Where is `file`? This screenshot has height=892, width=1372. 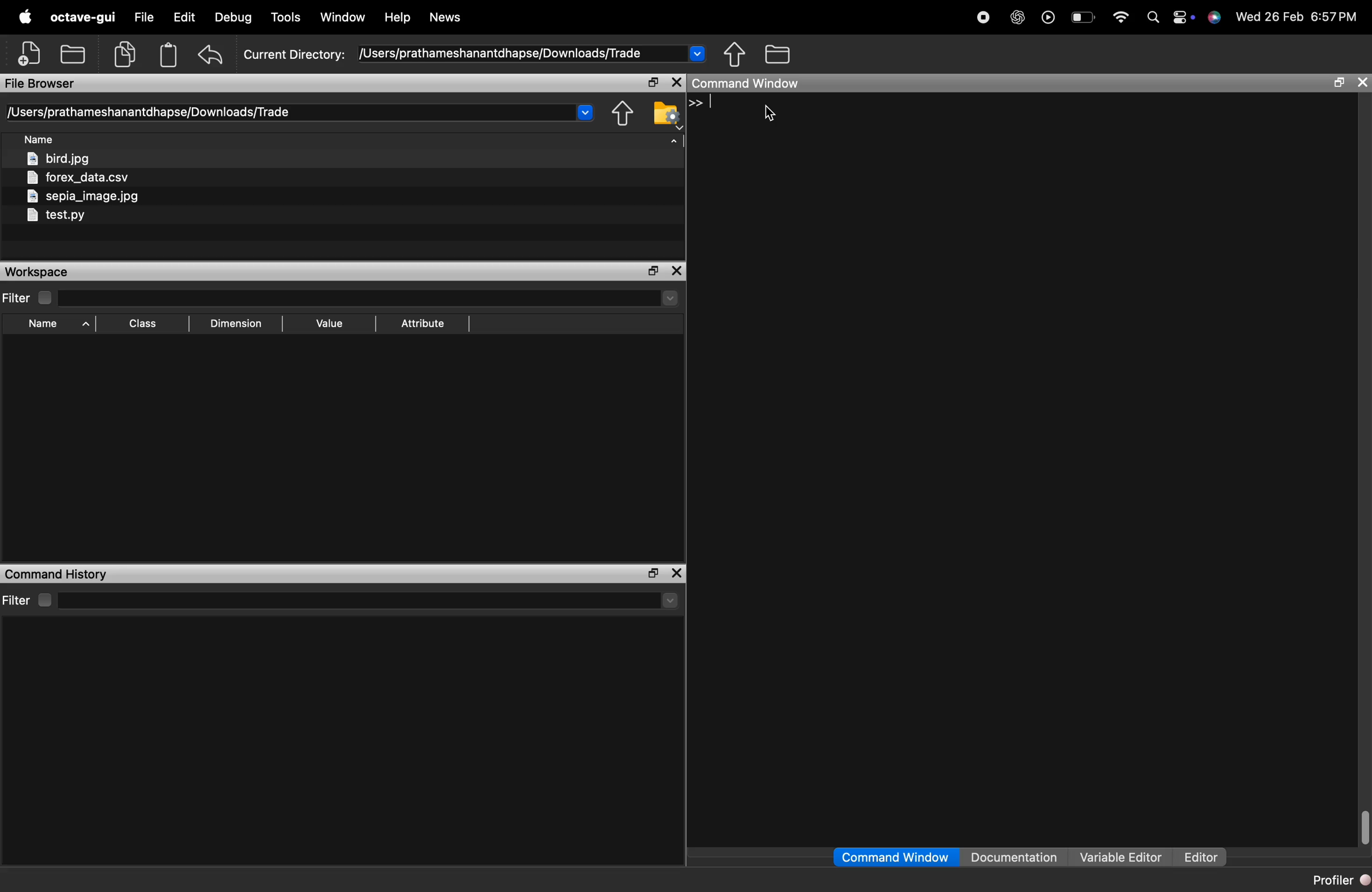
file is located at coordinates (143, 17).